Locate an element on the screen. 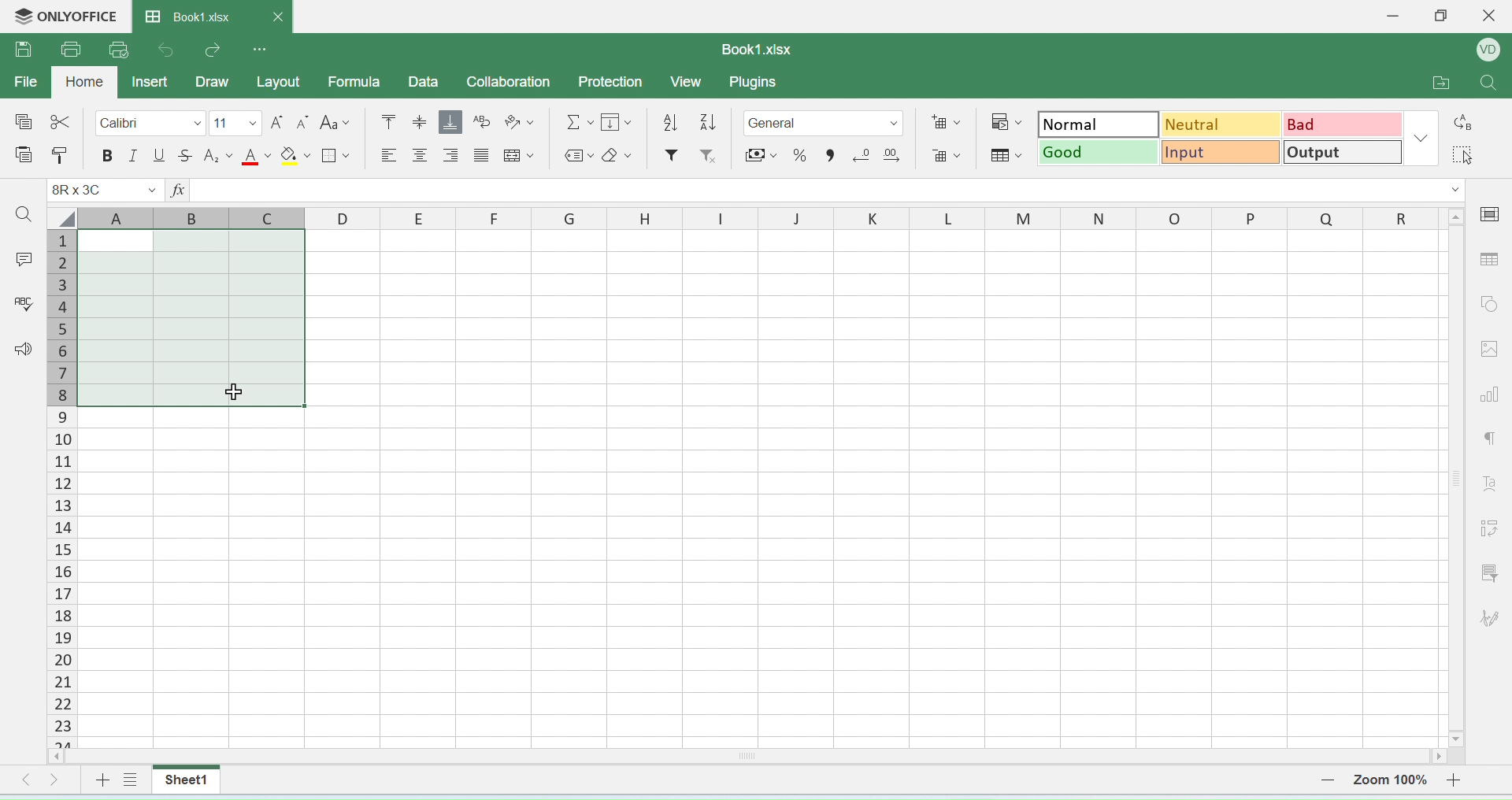 This screenshot has height=800, width=1512.  is located at coordinates (258, 157).